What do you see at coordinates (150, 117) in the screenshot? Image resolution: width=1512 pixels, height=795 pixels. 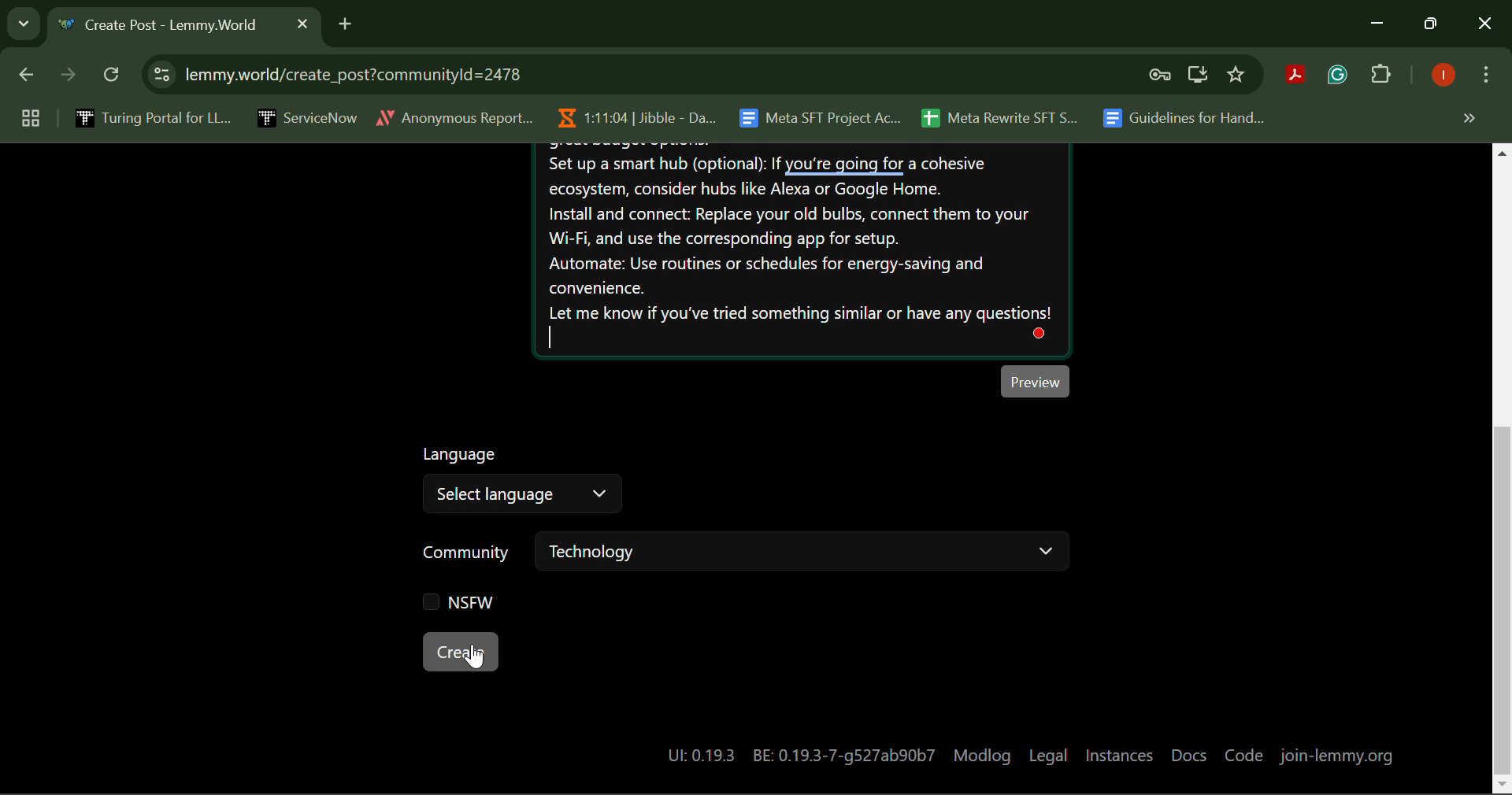 I see `Turing Portal for LLM` at bounding box center [150, 117].